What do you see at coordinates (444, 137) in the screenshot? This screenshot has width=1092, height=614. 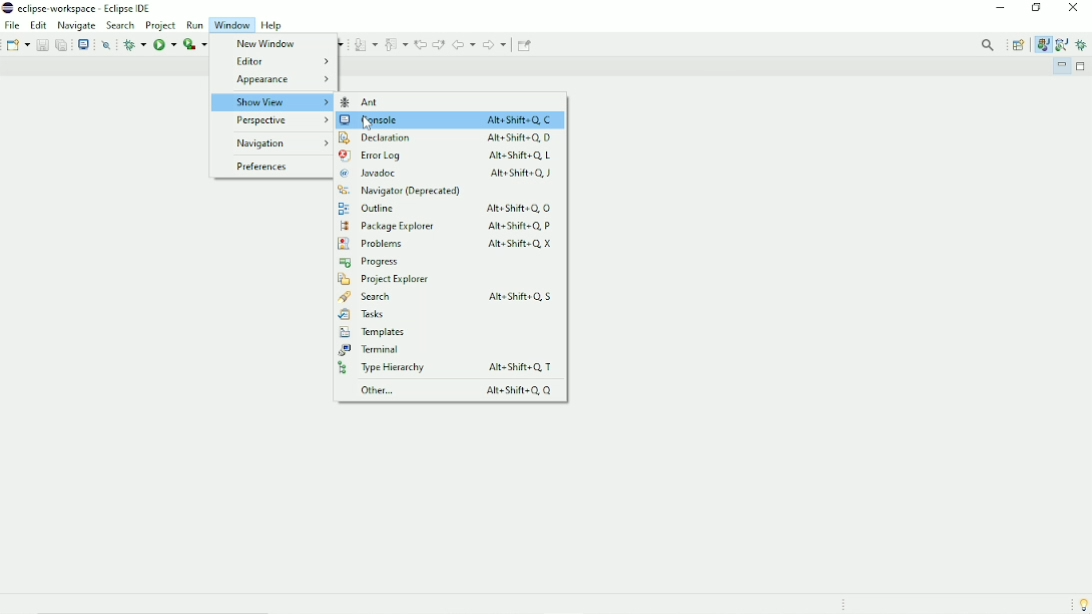 I see `Declaration` at bounding box center [444, 137].